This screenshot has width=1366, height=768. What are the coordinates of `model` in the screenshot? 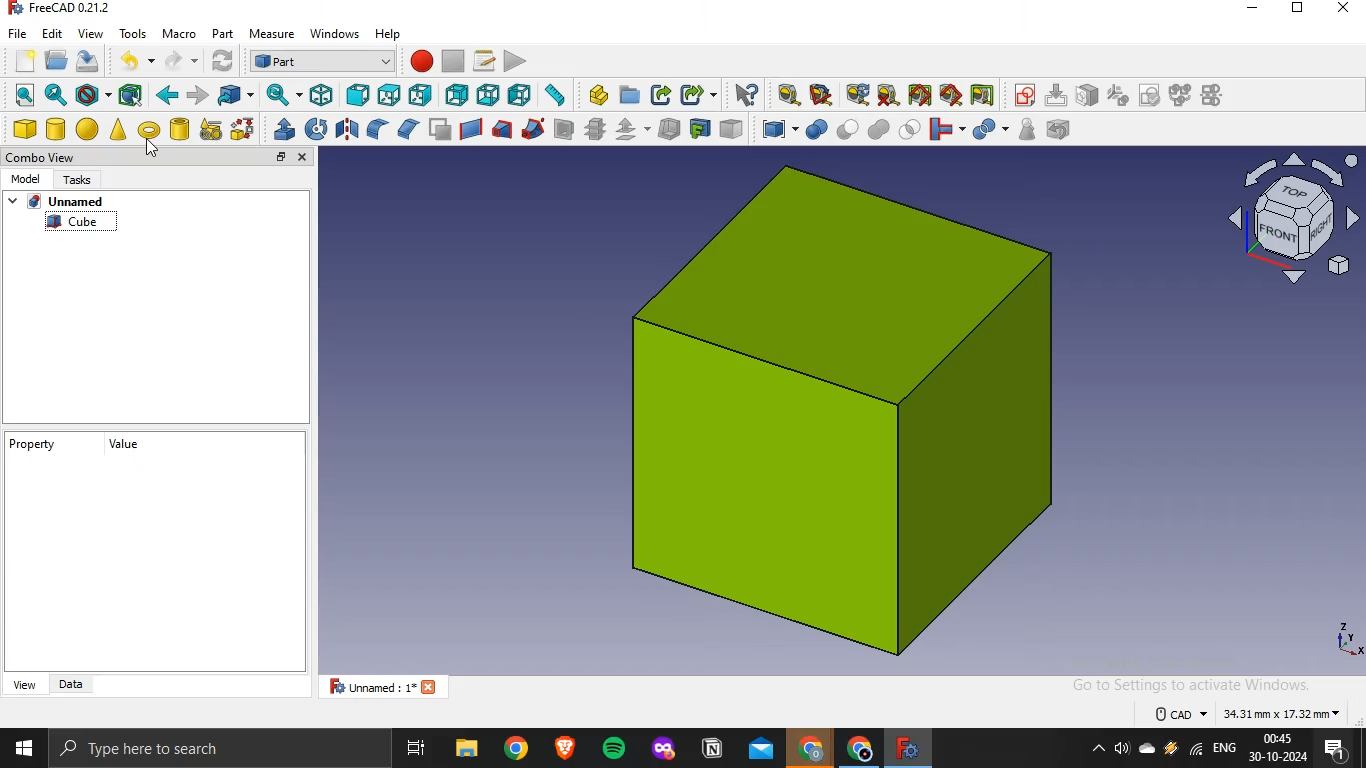 It's located at (28, 179).